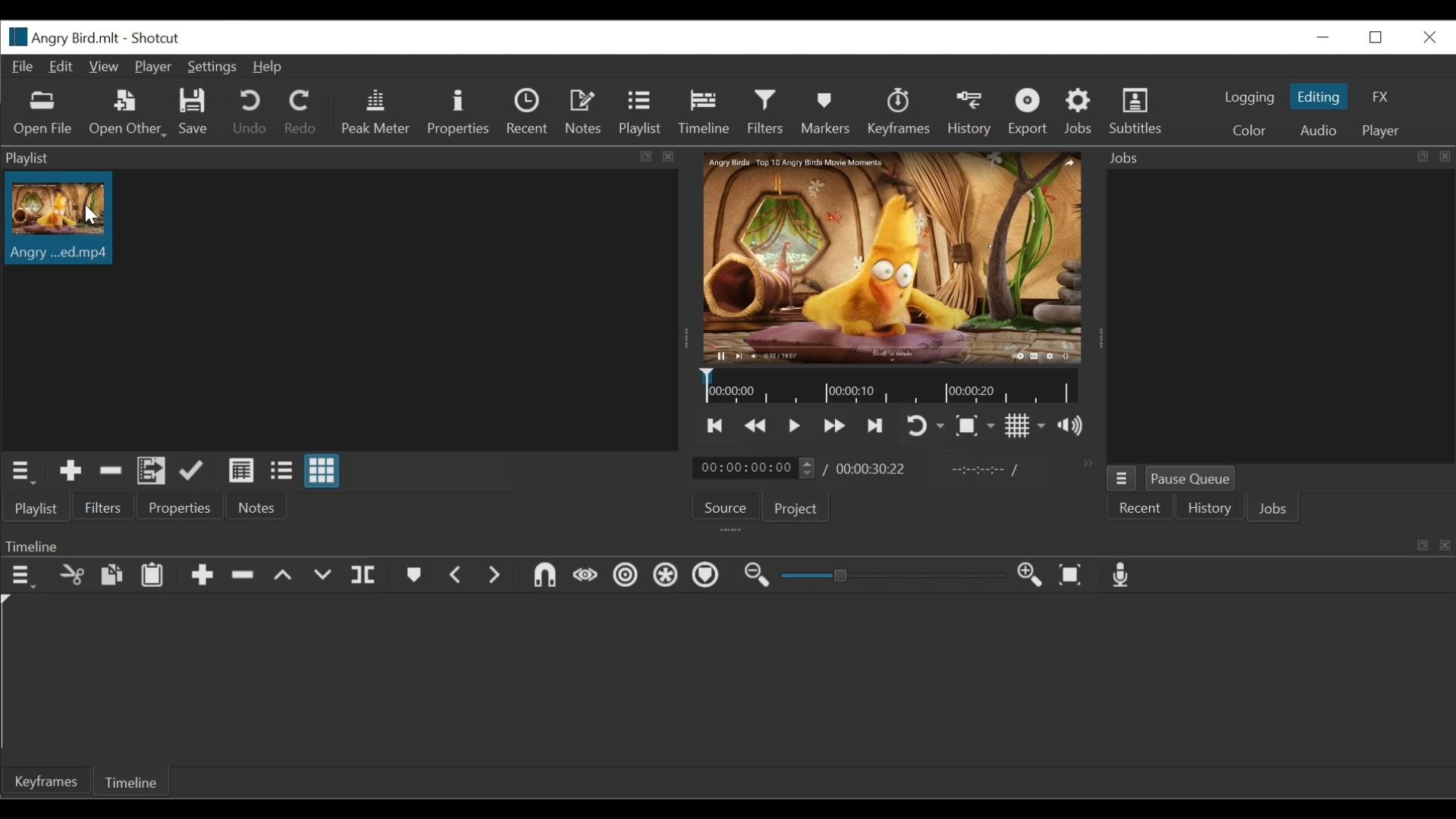 Image resolution: width=1456 pixels, height=819 pixels. What do you see at coordinates (872, 469) in the screenshot?
I see `Total duration` at bounding box center [872, 469].